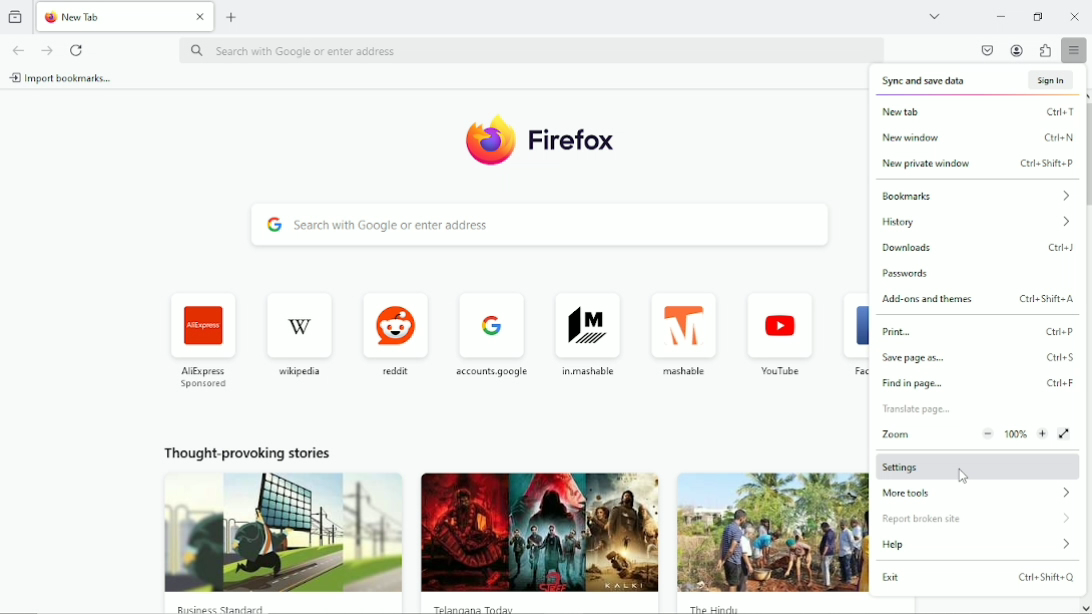 This screenshot has height=614, width=1092. I want to click on cursor, so click(967, 728).